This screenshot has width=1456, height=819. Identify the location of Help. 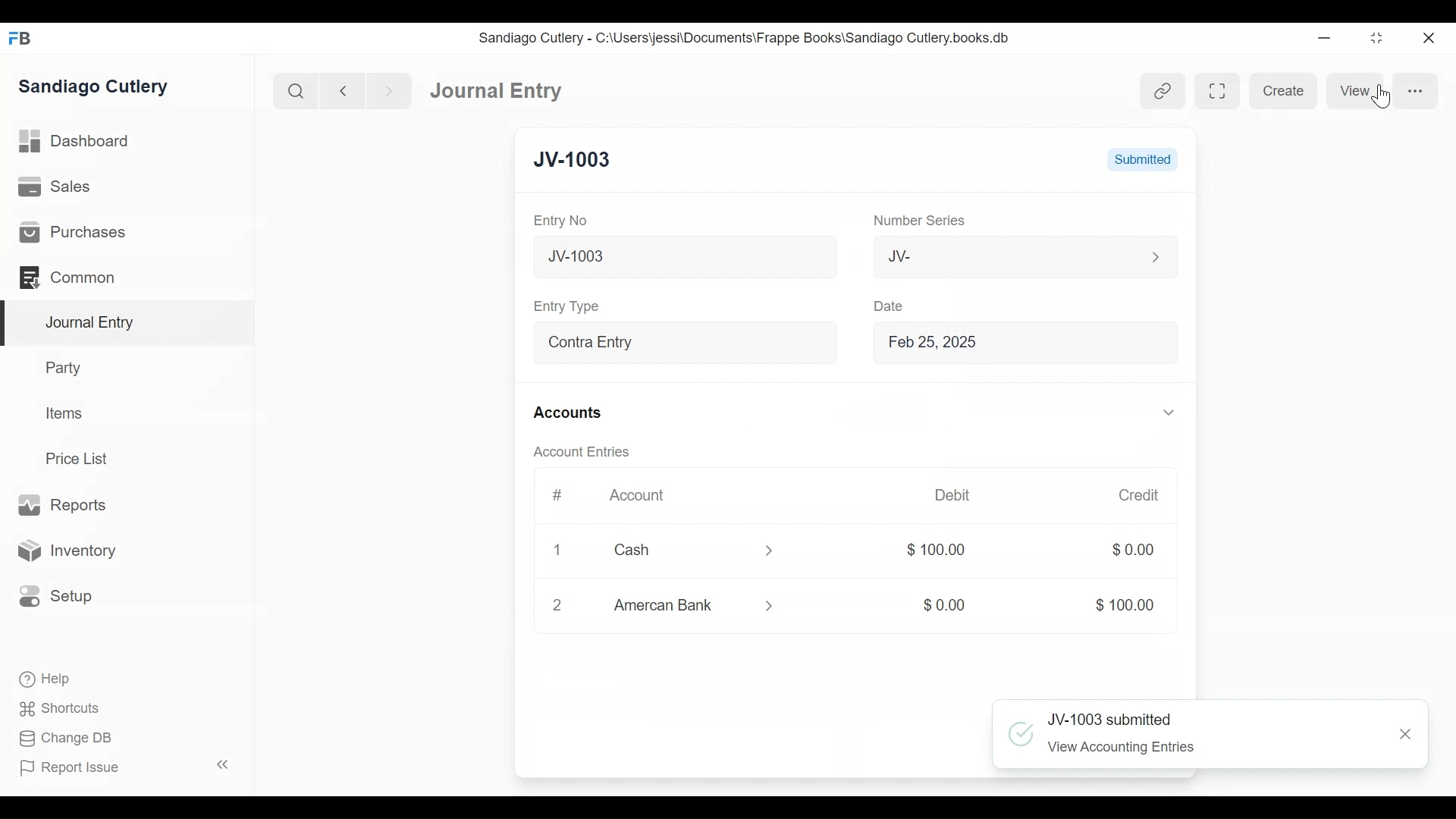
(42, 677).